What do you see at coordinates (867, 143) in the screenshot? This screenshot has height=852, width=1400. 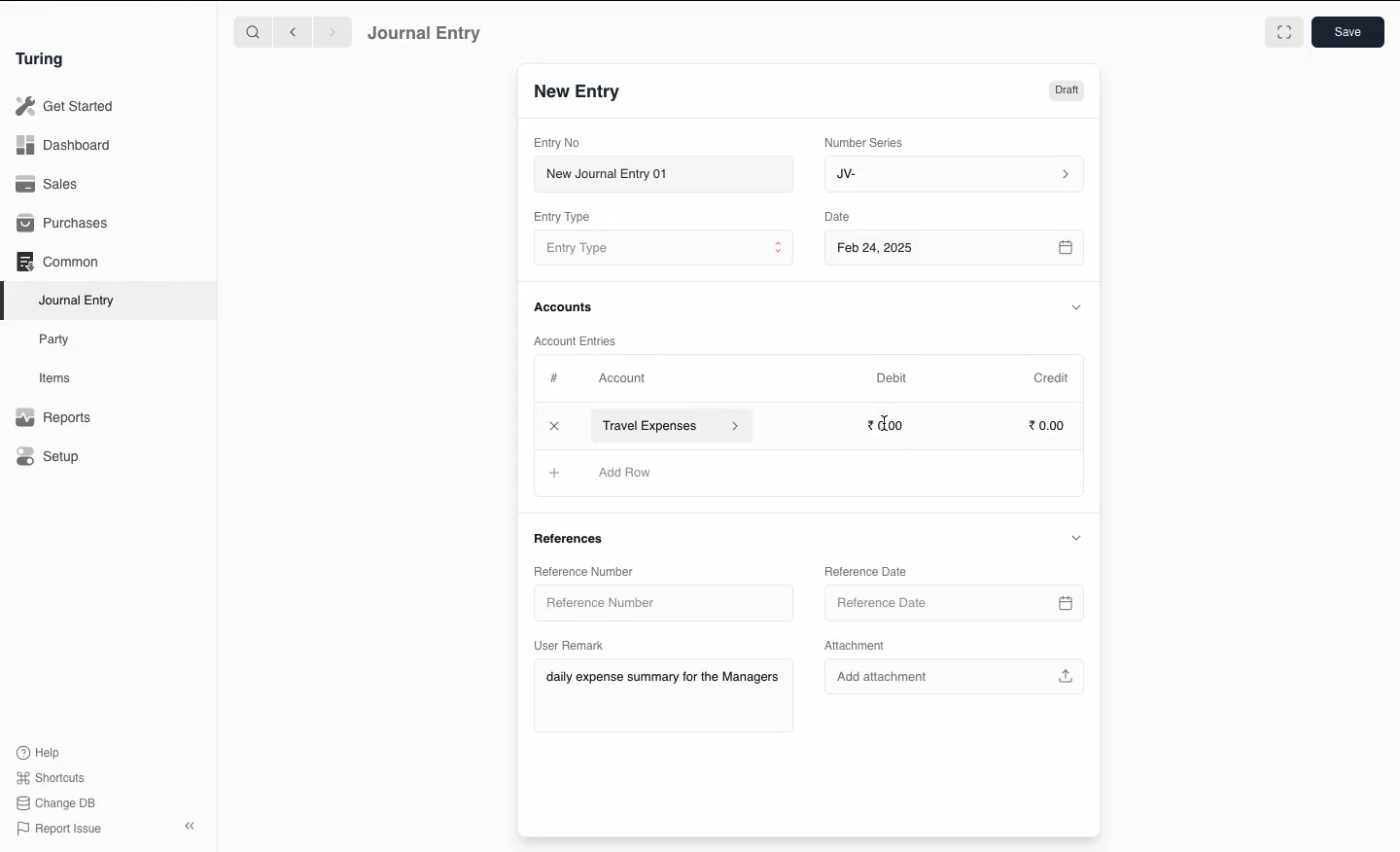 I see `Number Series` at bounding box center [867, 143].